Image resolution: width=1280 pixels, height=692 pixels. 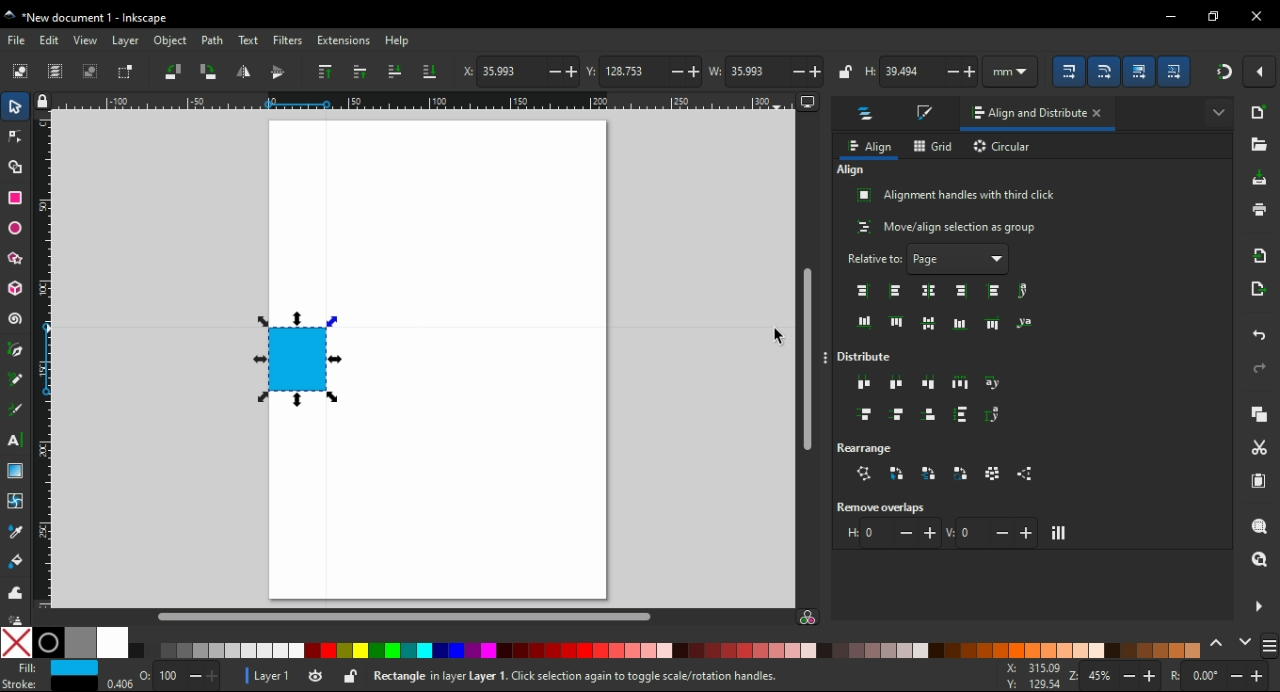 What do you see at coordinates (1257, 606) in the screenshot?
I see `more settings` at bounding box center [1257, 606].